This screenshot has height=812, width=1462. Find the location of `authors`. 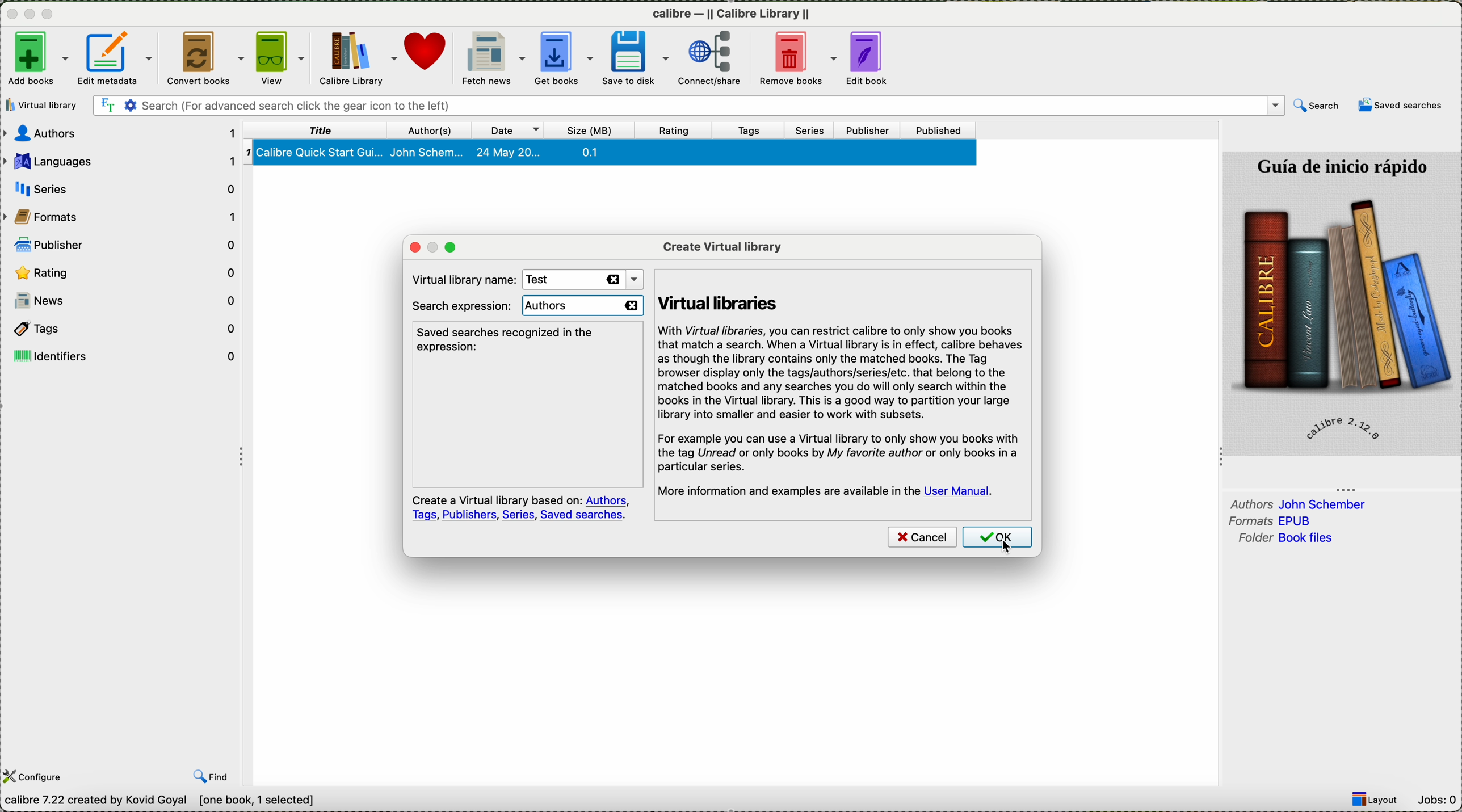

authors is located at coordinates (123, 135).